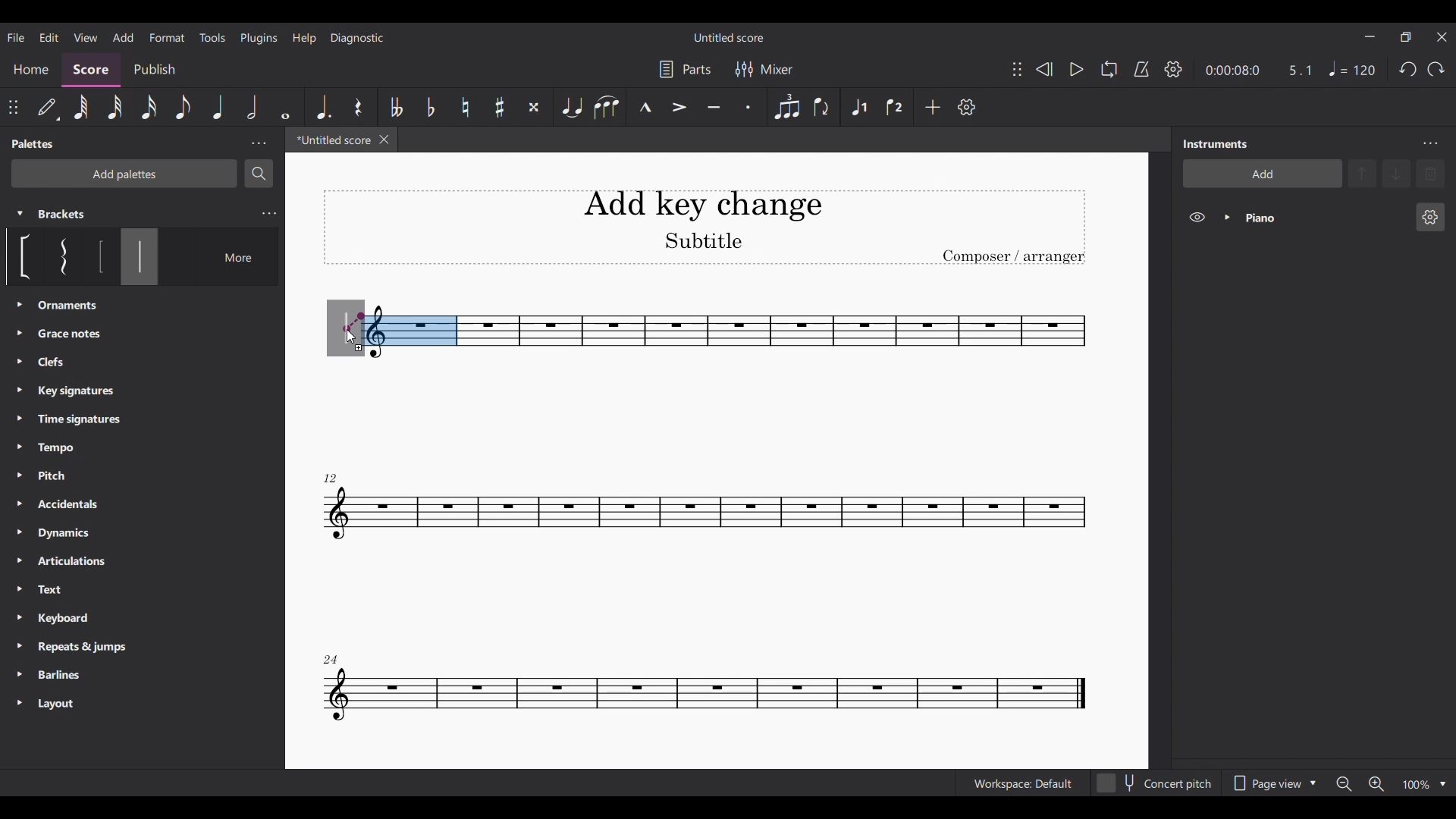 The image size is (1456, 819). What do you see at coordinates (82, 108) in the screenshot?
I see `64th note` at bounding box center [82, 108].